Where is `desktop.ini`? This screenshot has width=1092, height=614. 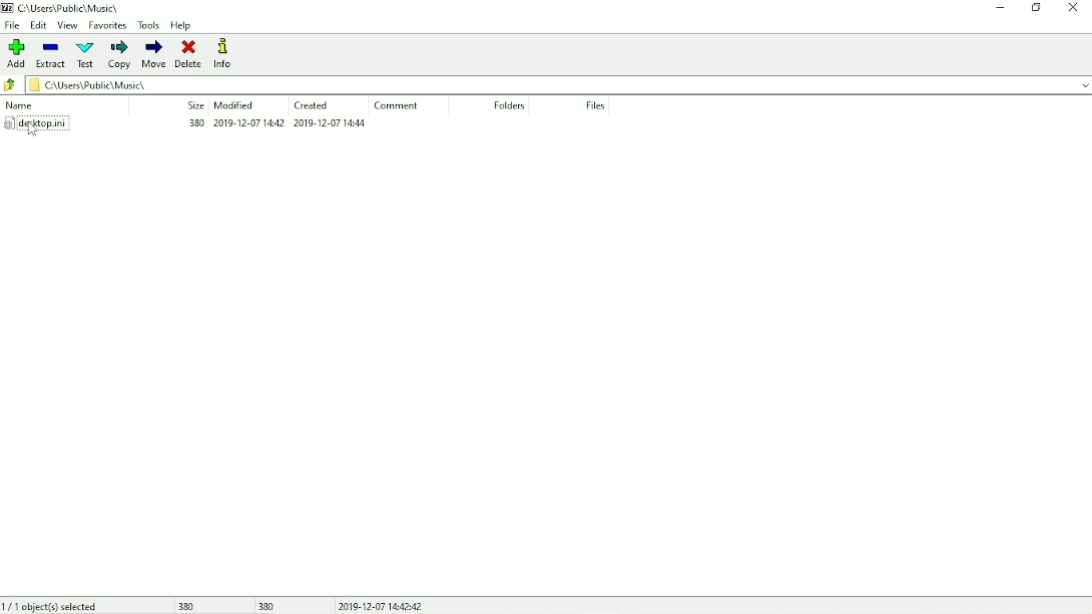 desktop.ini is located at coordinates (185, 125).